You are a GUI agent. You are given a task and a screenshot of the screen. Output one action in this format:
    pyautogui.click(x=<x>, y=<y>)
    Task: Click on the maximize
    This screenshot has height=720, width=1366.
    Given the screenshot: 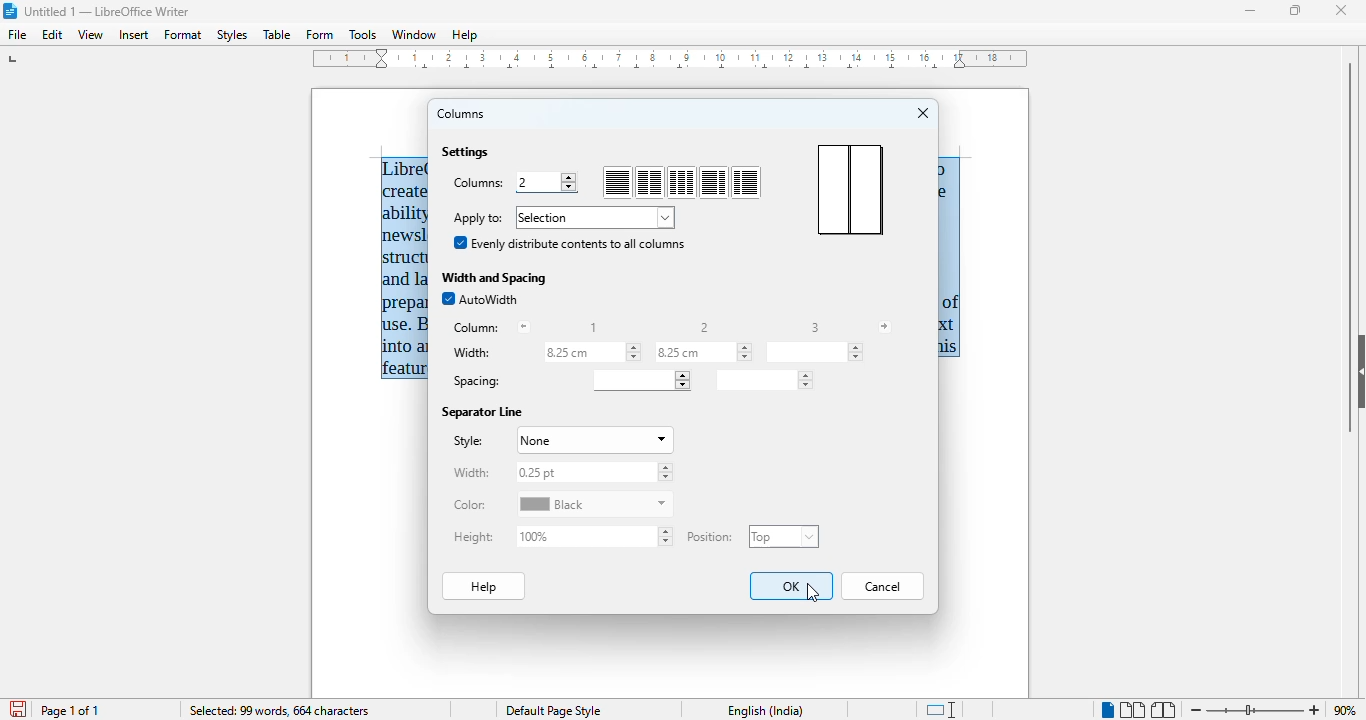 What is the action you would take?
    pyautogui.click(x=1297, y=10)
    